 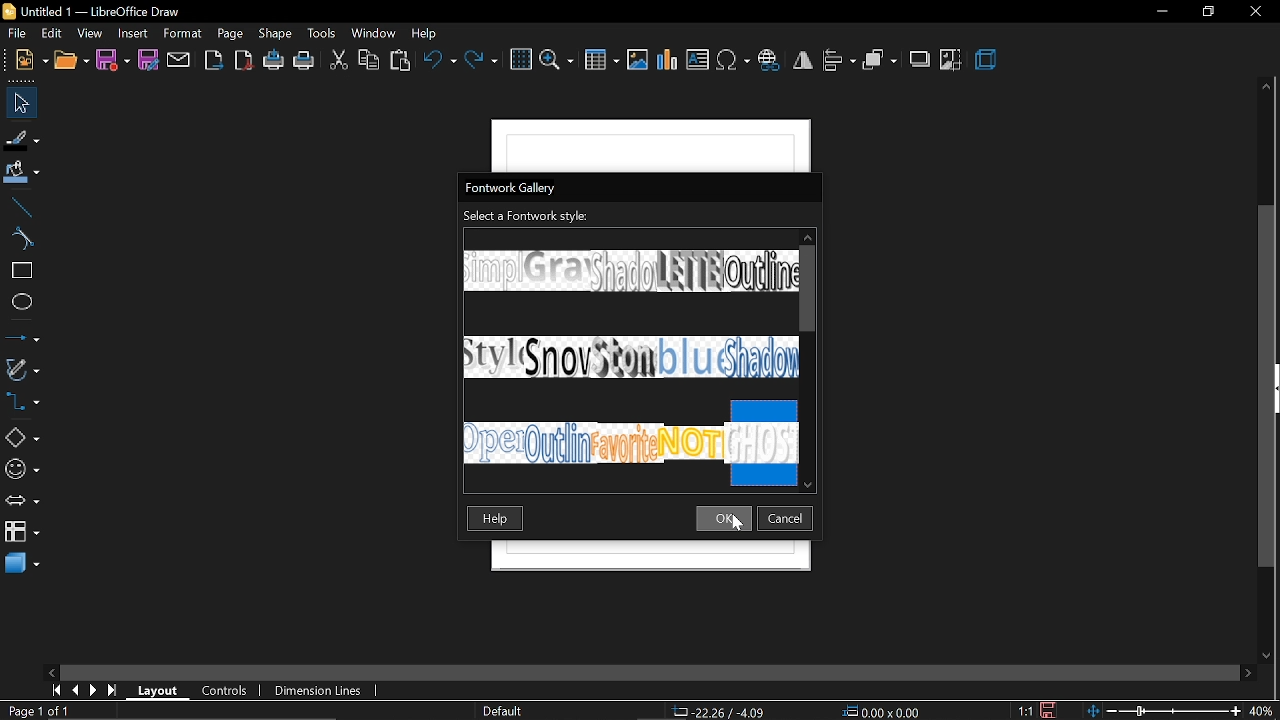 I want to click on move right, so click(x=1248, y=674).